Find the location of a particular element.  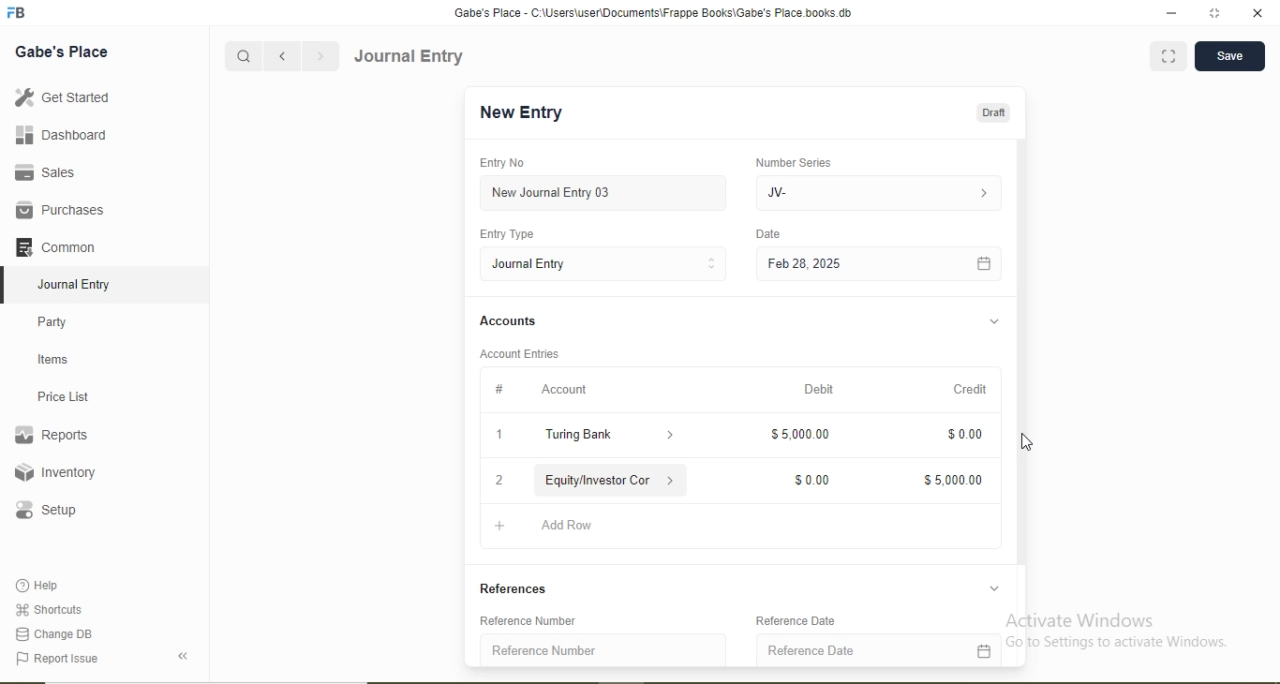

Inventory is located at coordinates (56, 472).